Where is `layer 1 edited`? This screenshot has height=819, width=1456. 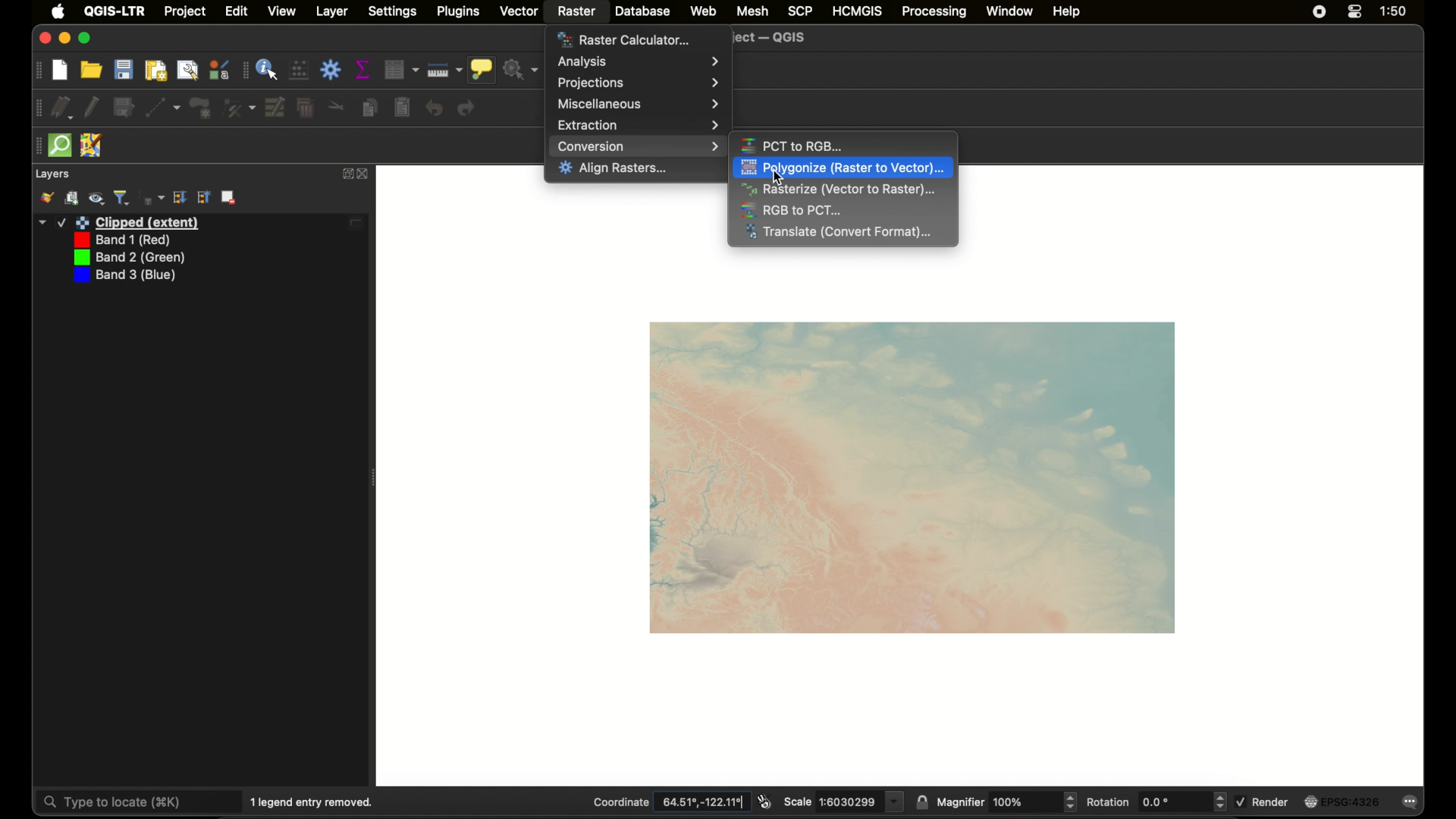
layer 1 edited is located at coordinates (201, 223).